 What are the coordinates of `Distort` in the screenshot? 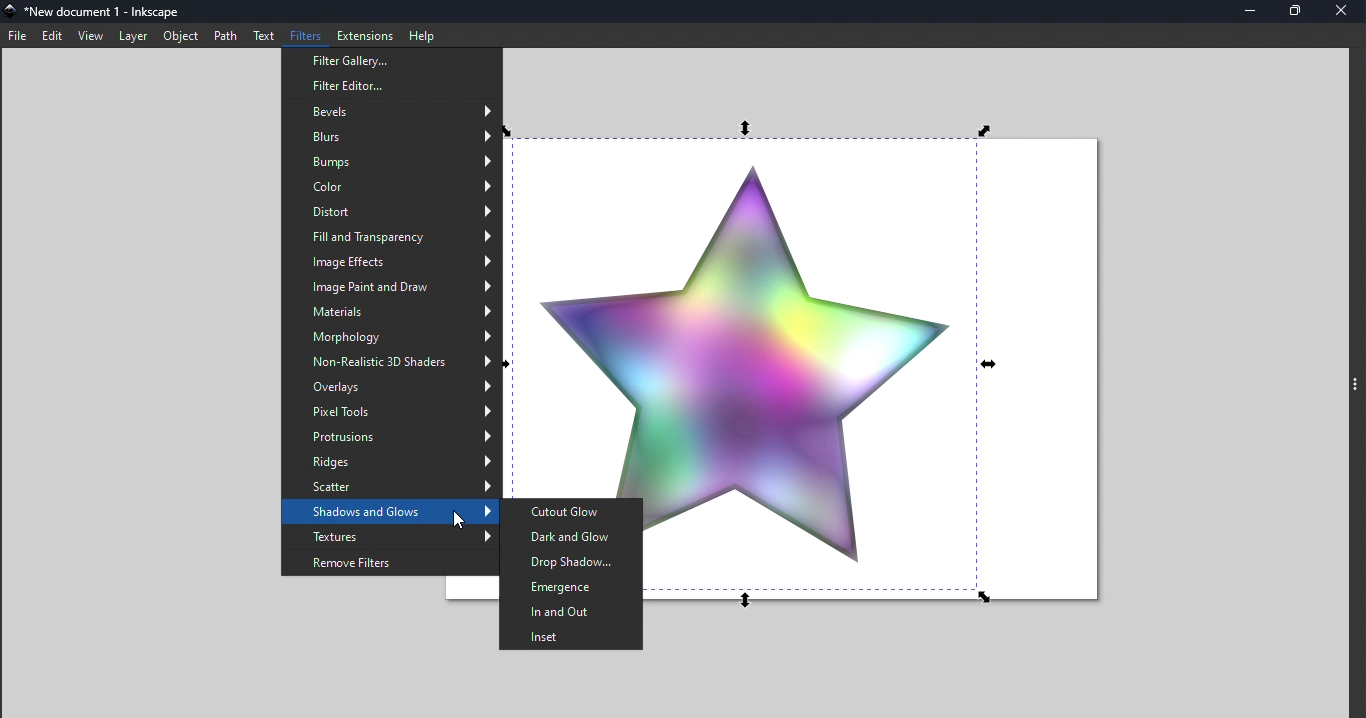 It's located at (392, 211).